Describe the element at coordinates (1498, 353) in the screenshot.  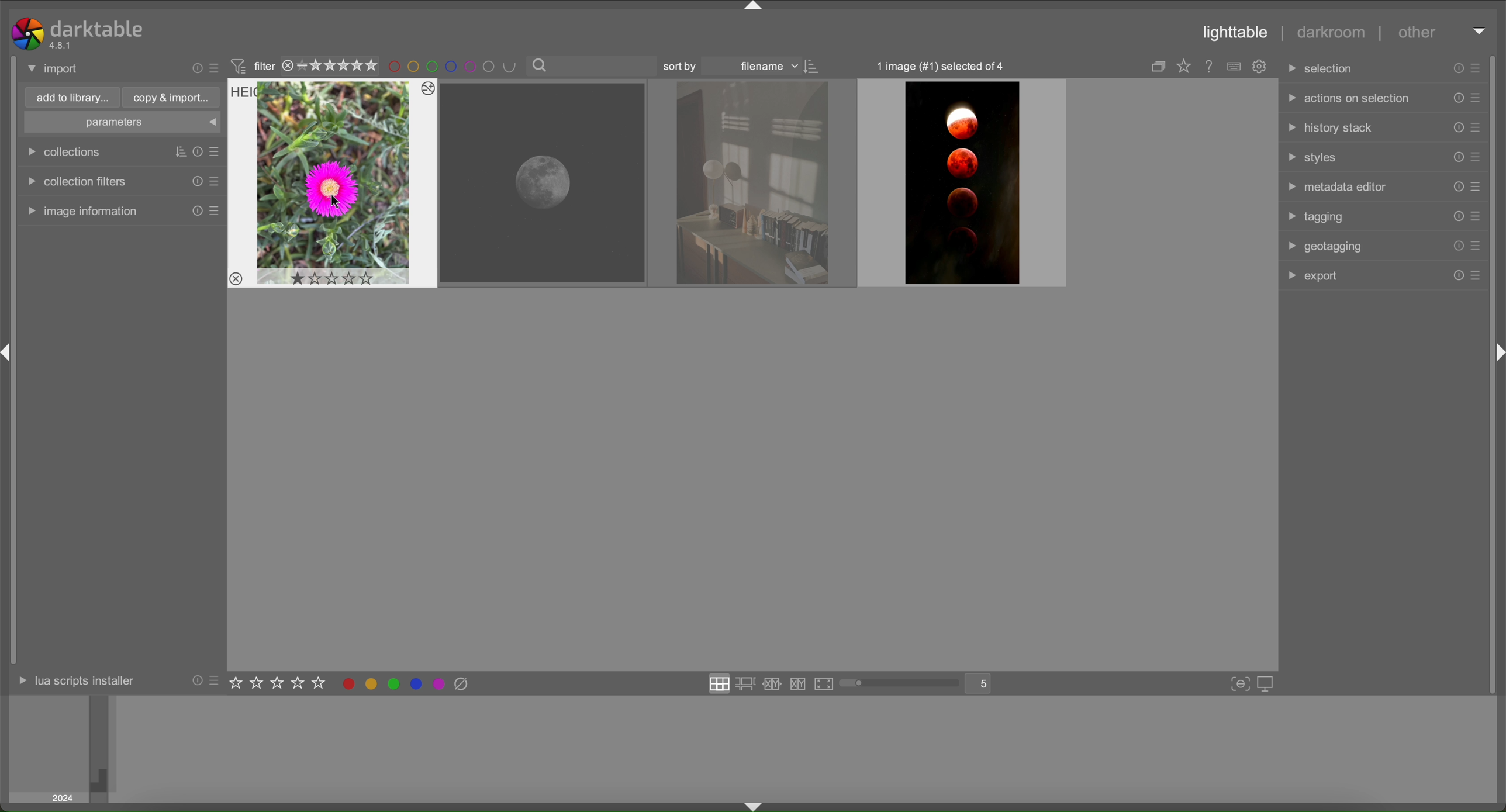
I see `arrow` at that location.